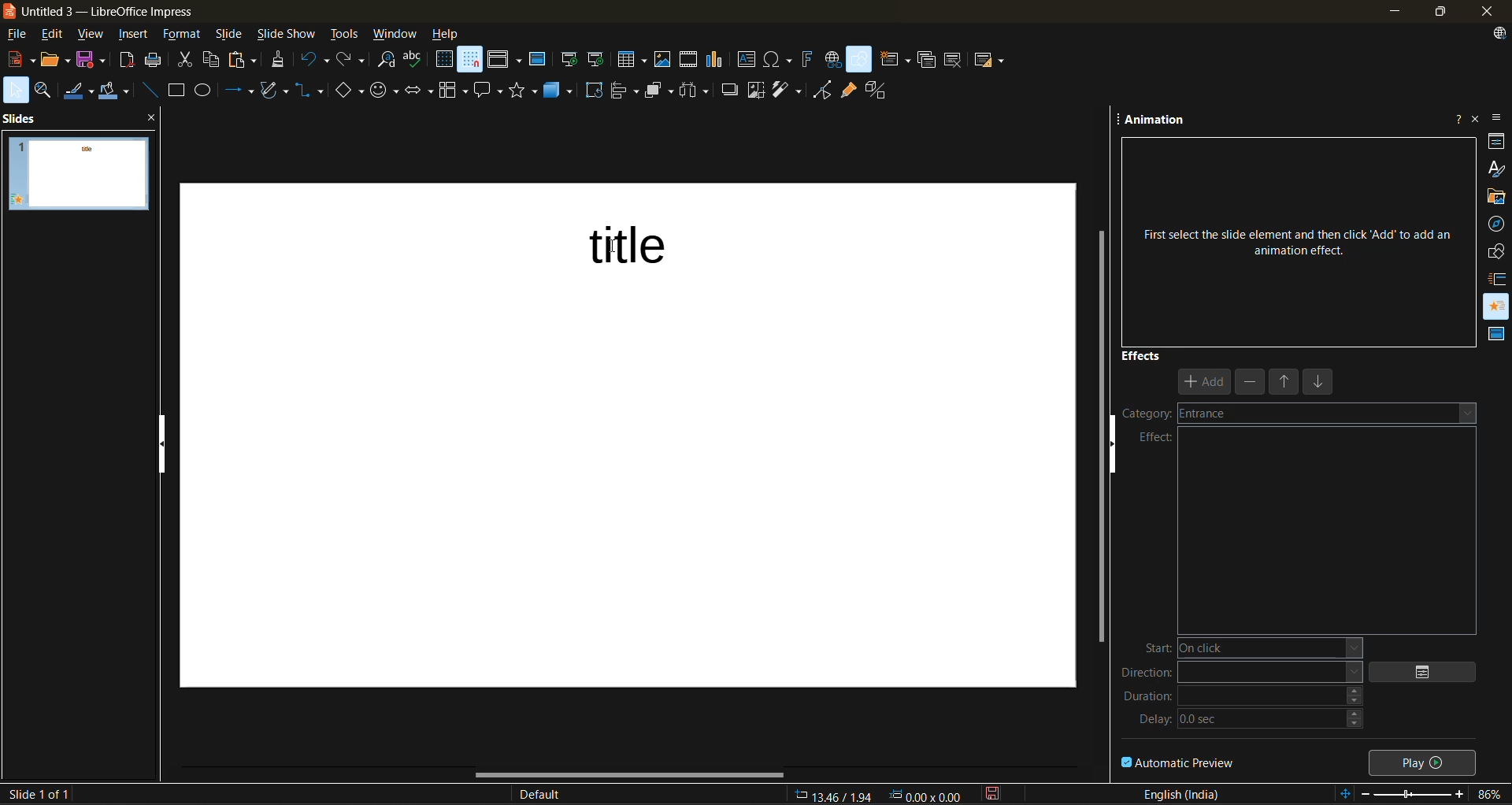 This screenshot has height=805, width=1512. I want to click on duplicate slide, so click(927, 62).